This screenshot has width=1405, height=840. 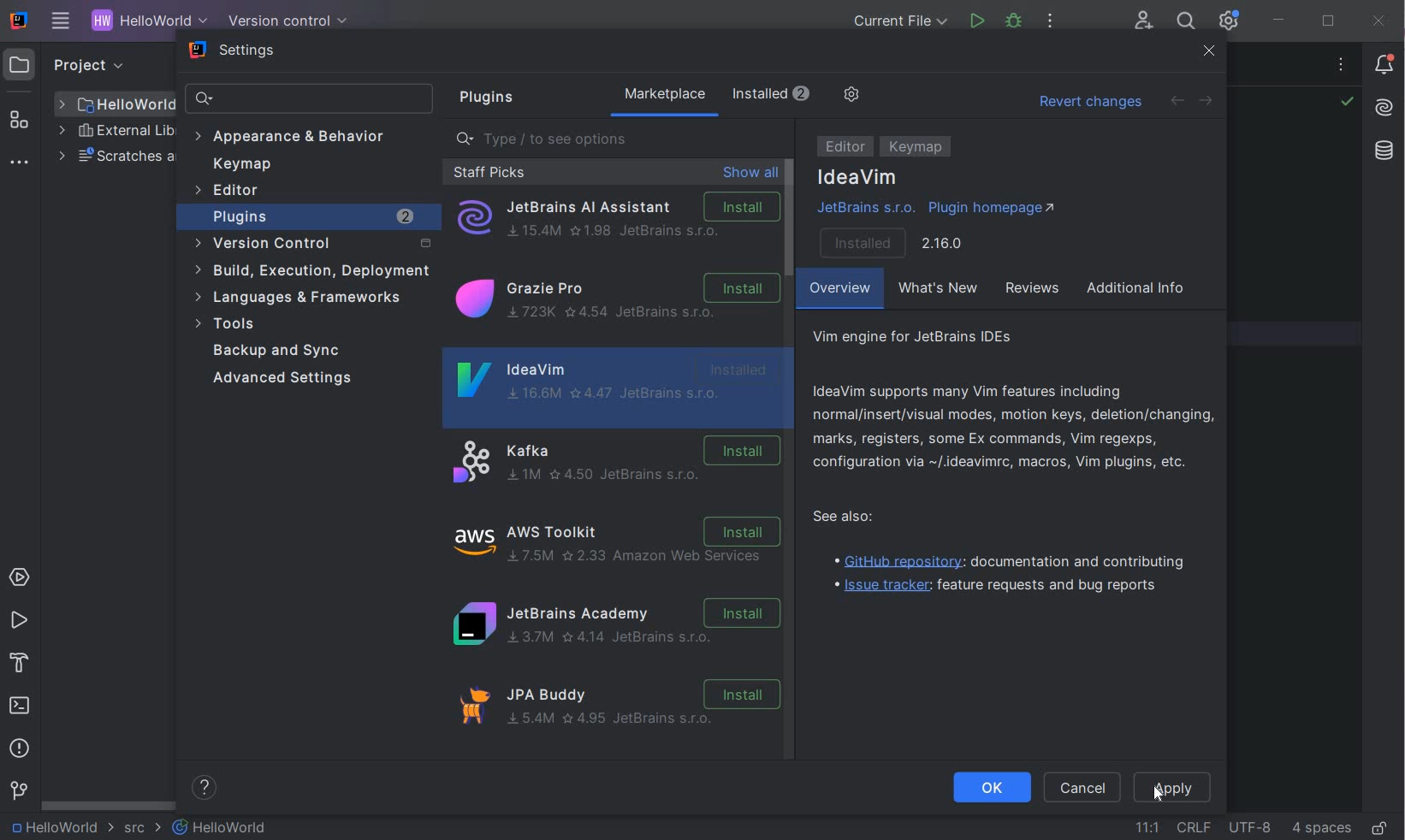 I want to click on MANAGE REPOSITORIES, so click(x=907, y=96).